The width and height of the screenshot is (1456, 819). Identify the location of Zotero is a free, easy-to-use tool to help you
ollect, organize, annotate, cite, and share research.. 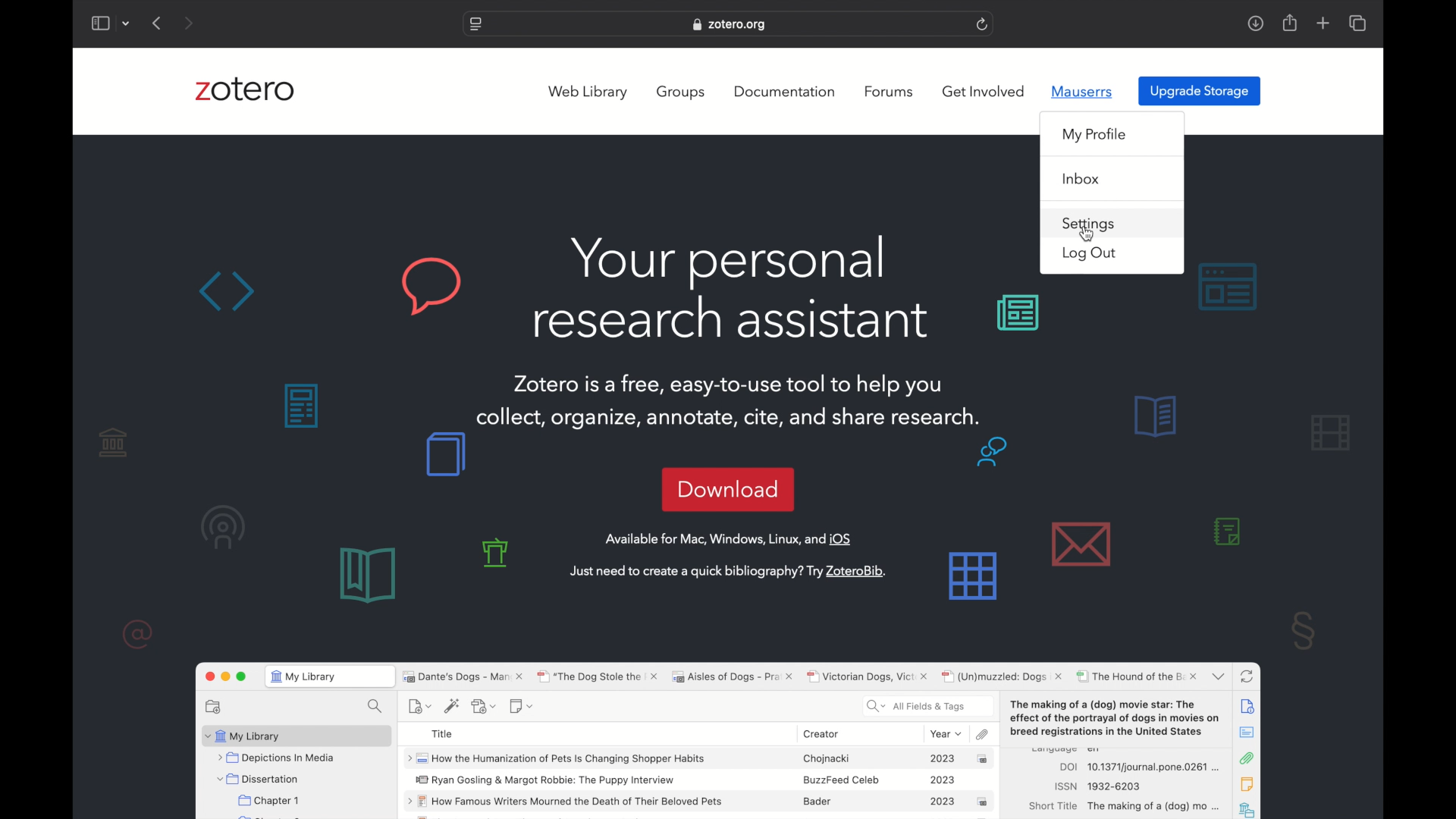
(730, 393).